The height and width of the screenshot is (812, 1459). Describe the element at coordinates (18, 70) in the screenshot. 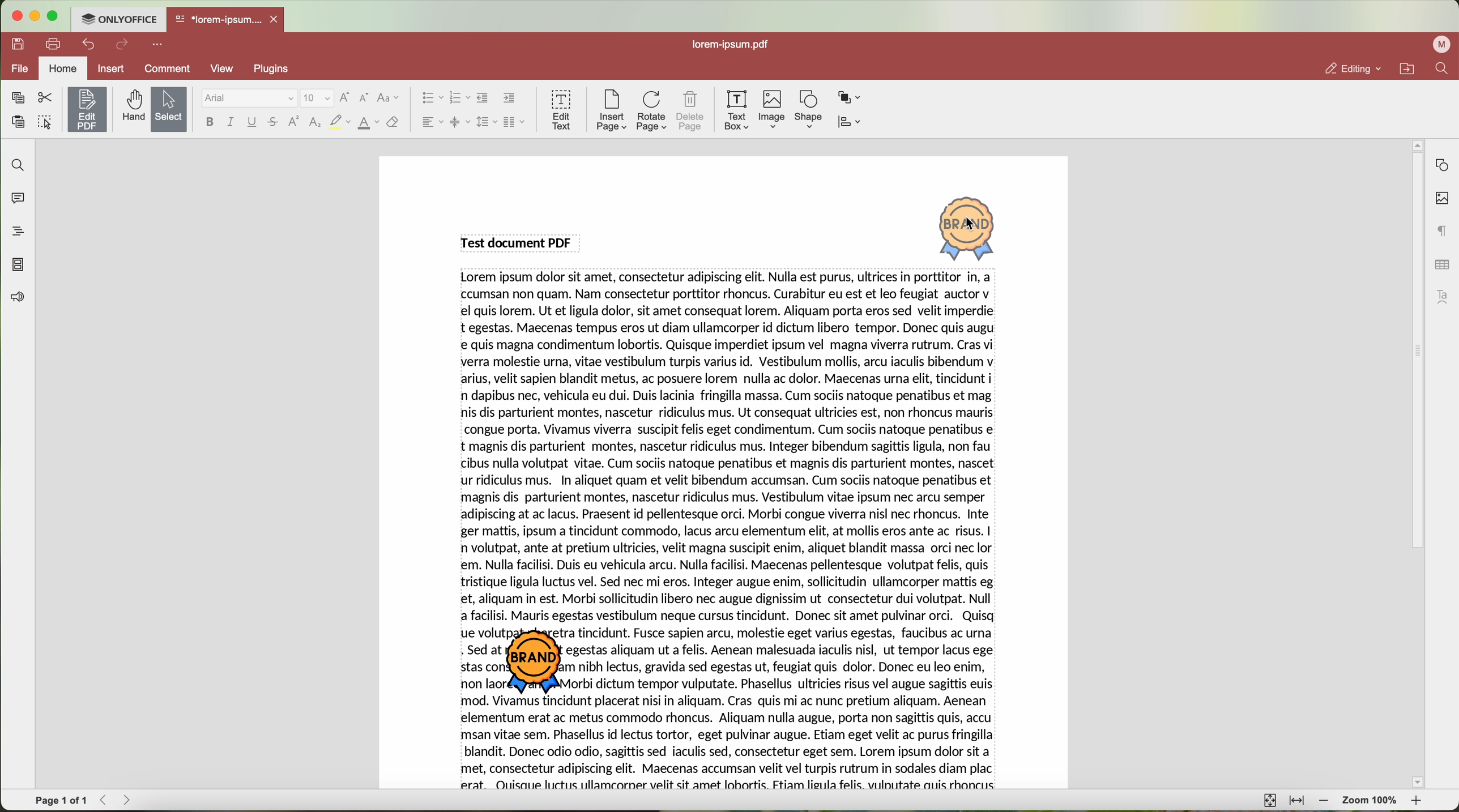

I see `file` at that location.